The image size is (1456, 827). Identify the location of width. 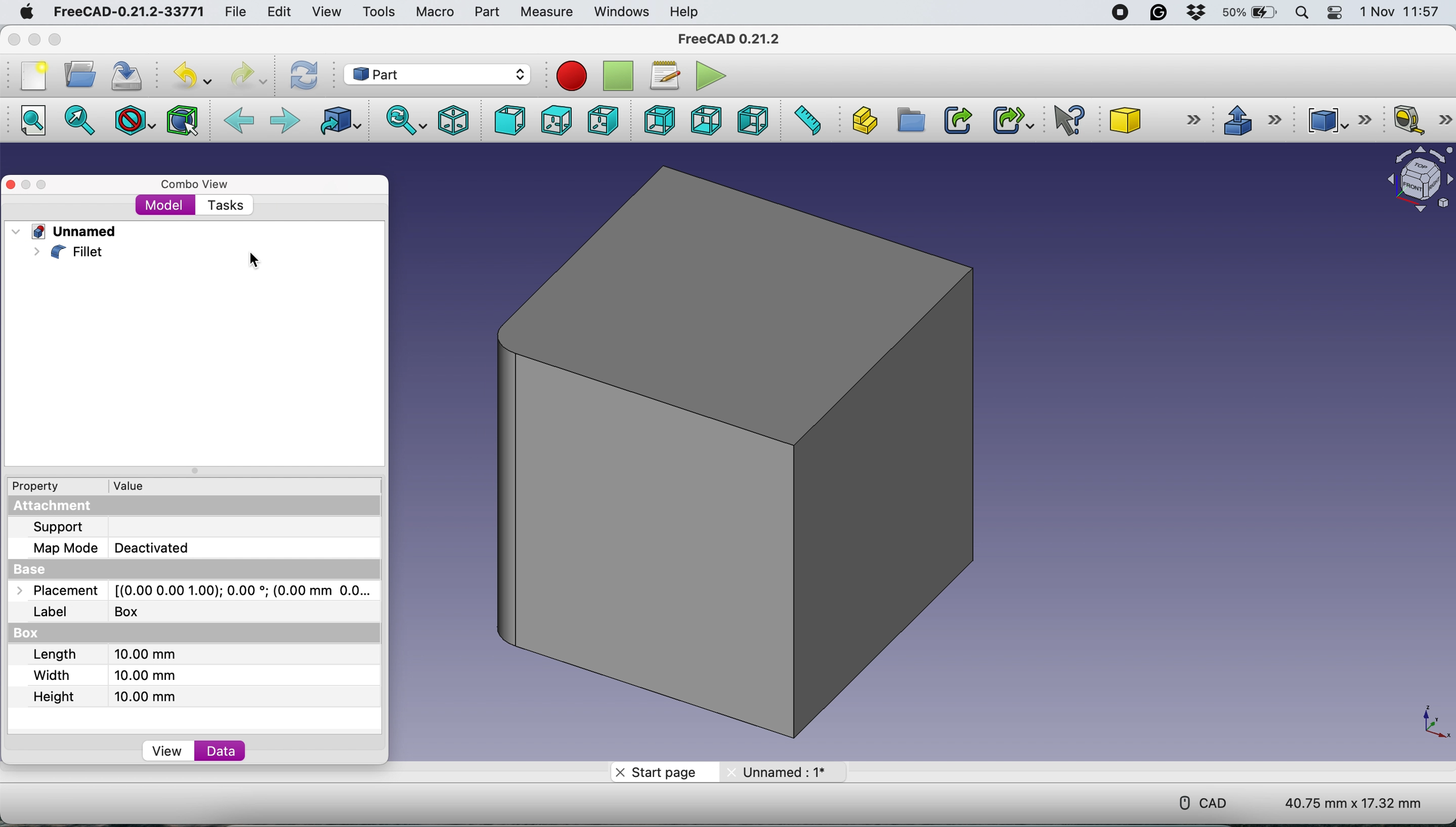
(107, 675).